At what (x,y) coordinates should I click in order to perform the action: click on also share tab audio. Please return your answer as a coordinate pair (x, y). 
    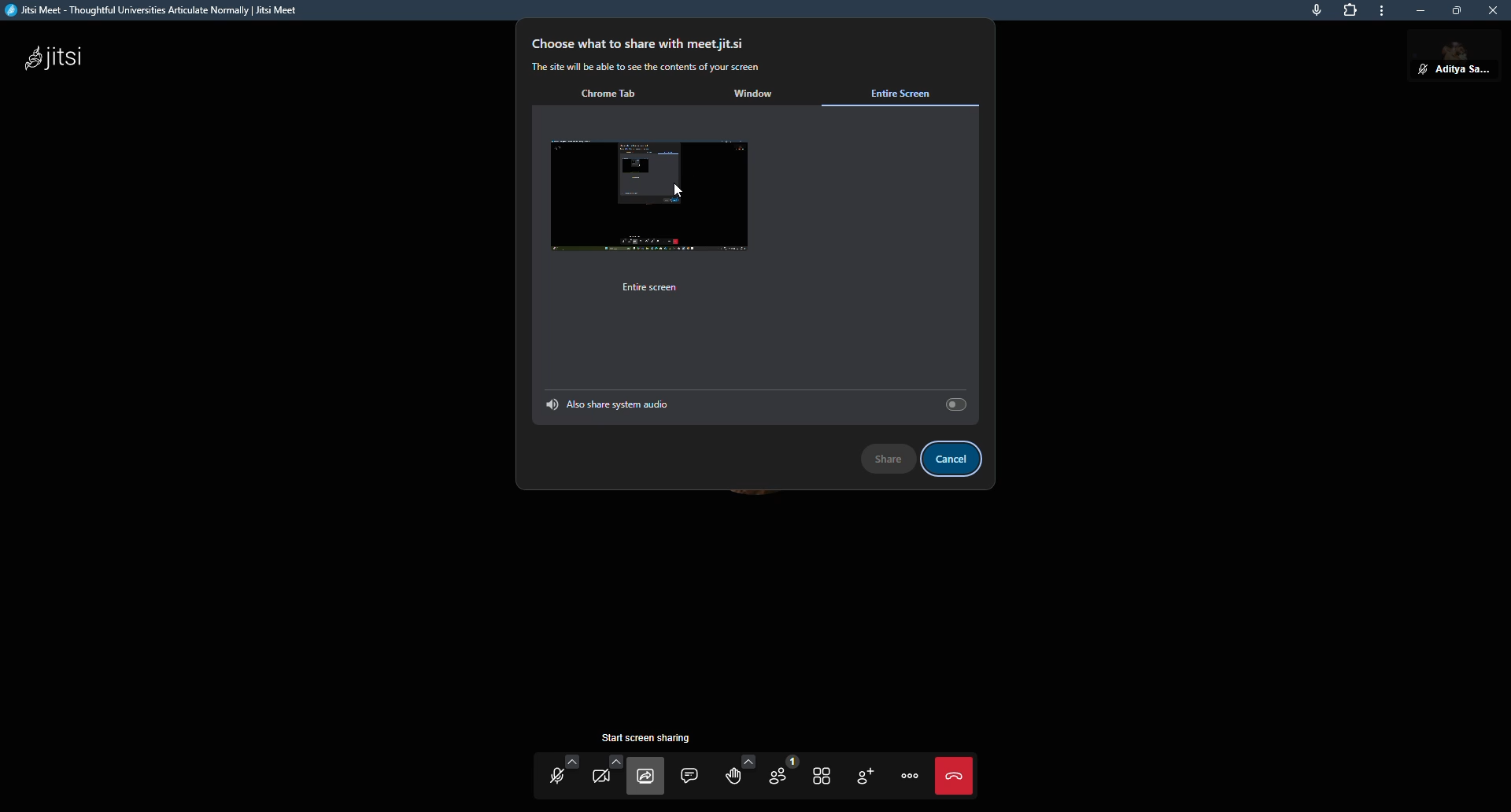
    Looking at the image, I should click on (608, 403).